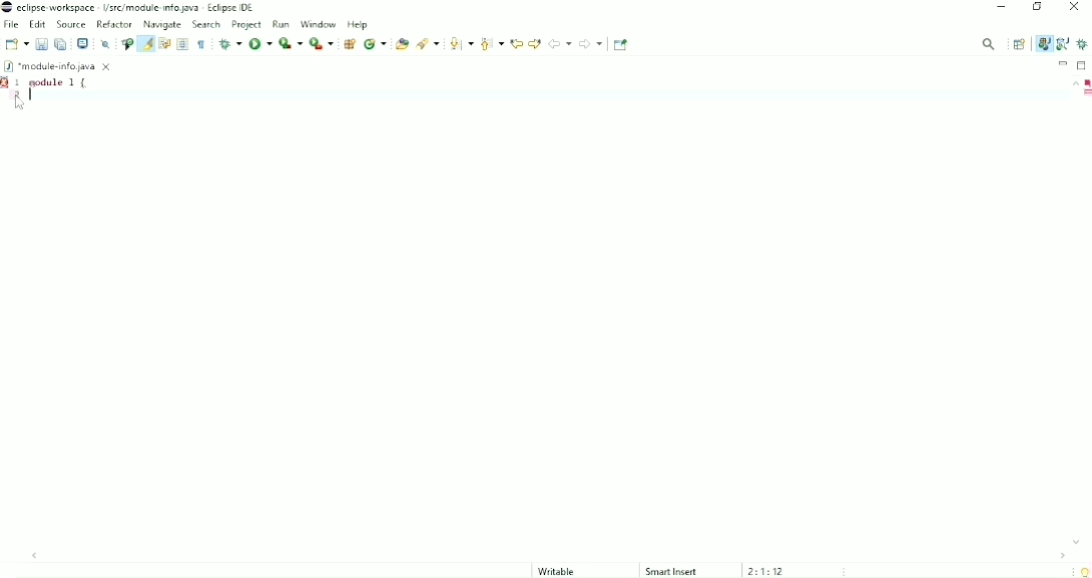  What do you see at coordinates (623, 44) in the screenshot?
I see `Pin Editor` at bounding box center [623, 44].